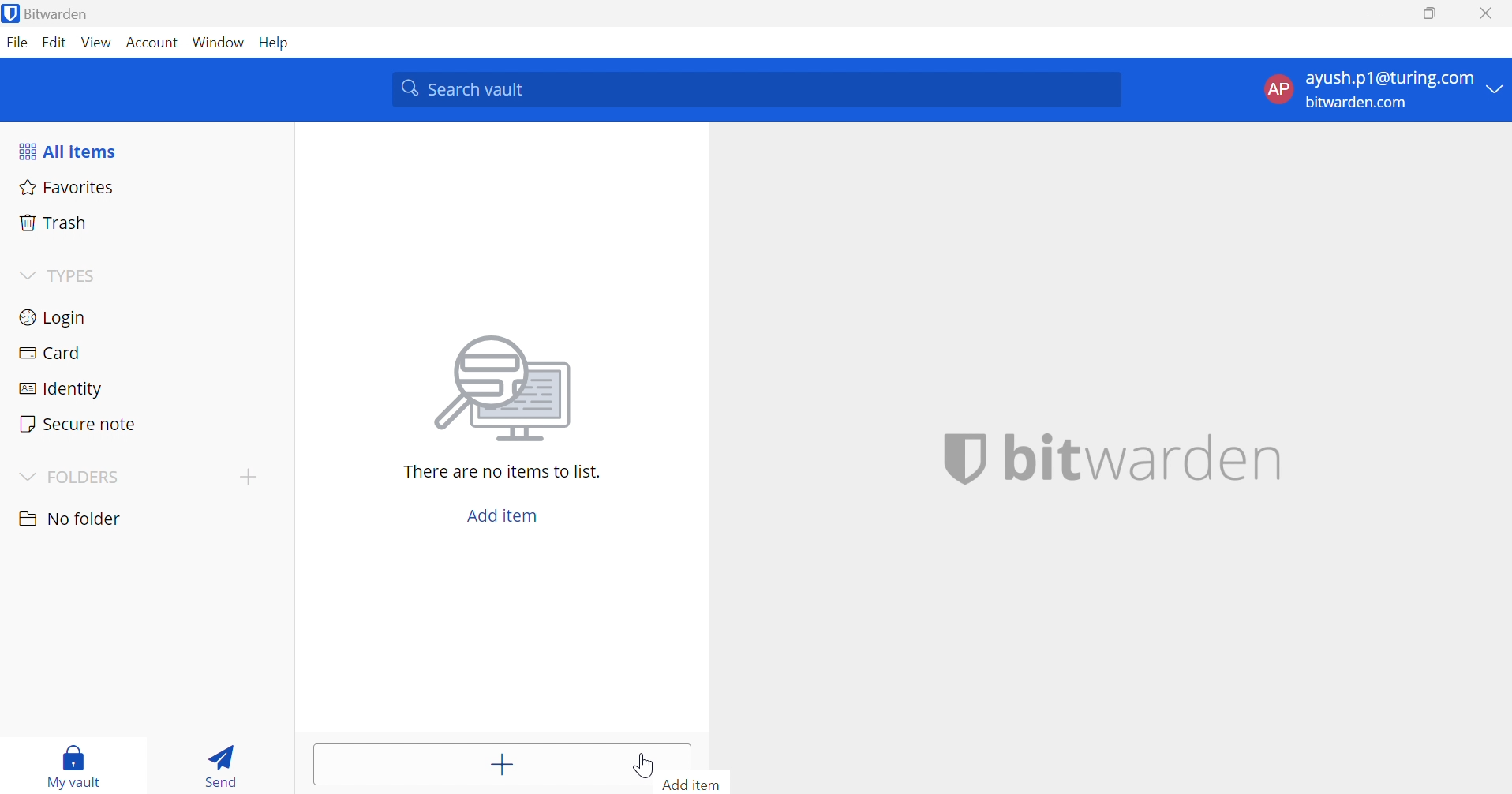 This screenshot has height=794, width=1512. What do you see at coordinates (501, 516) in the screenshot?
I see `Add item` at bounding box center [501, 516].